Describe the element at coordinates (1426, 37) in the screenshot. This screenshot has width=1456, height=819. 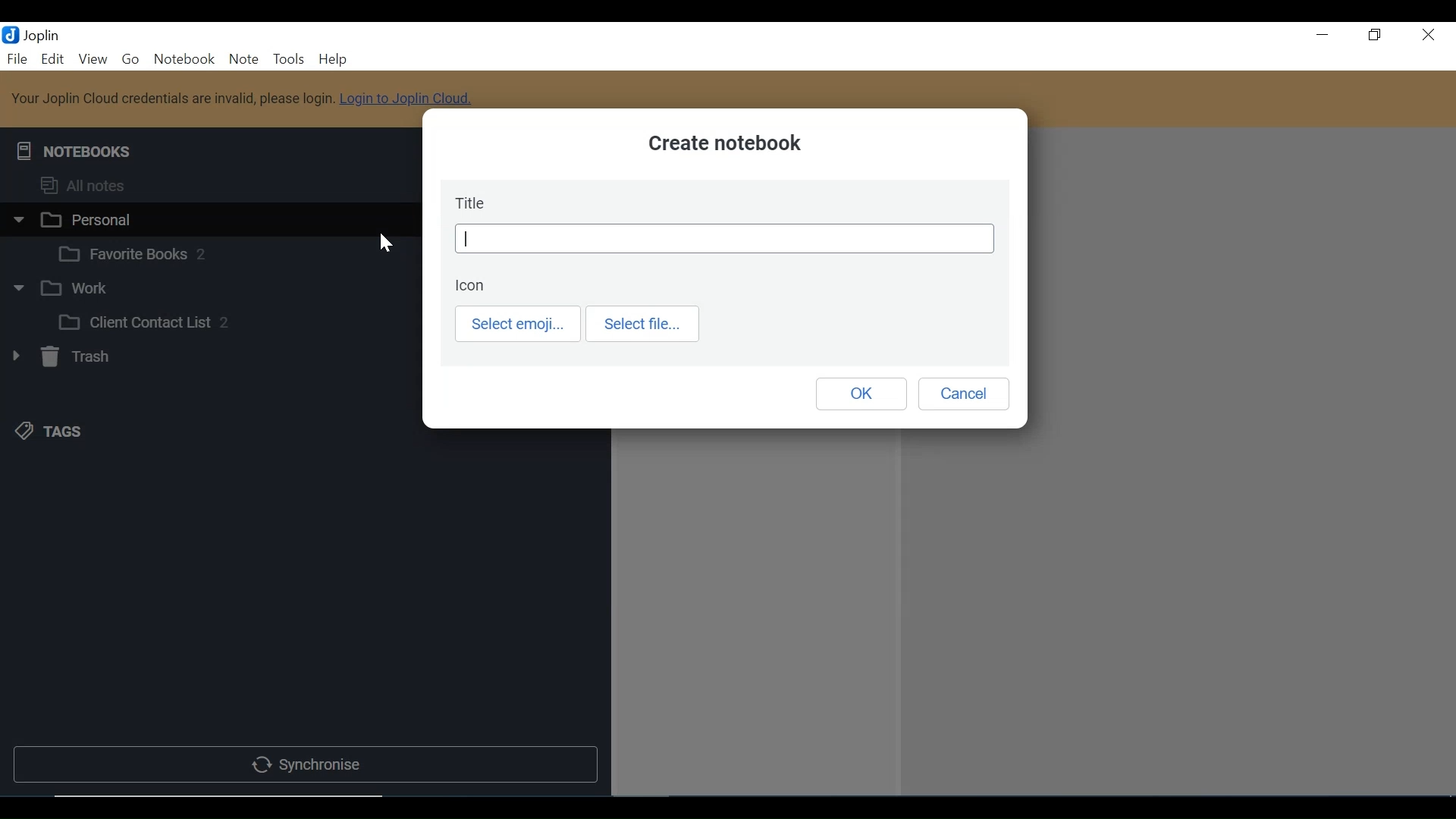
I see `Close` at that location.